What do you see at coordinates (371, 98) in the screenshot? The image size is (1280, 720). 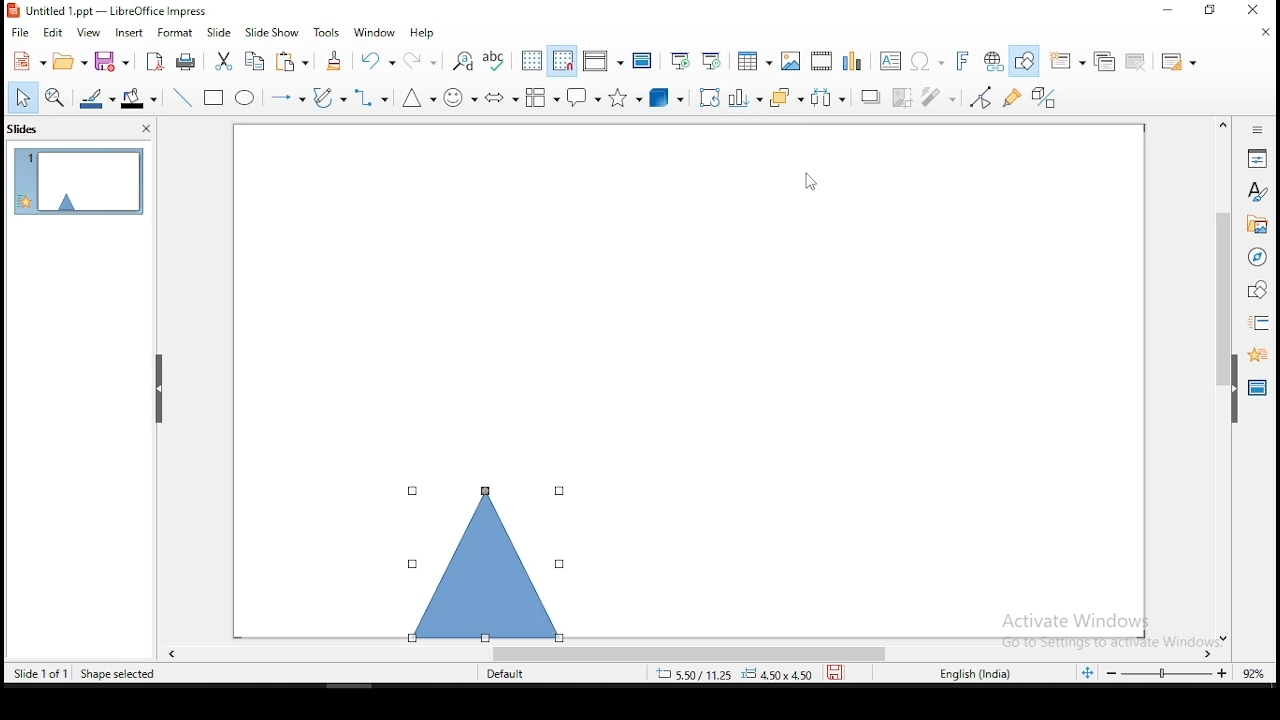 I see `connectors` at bounding box center [371, 98].